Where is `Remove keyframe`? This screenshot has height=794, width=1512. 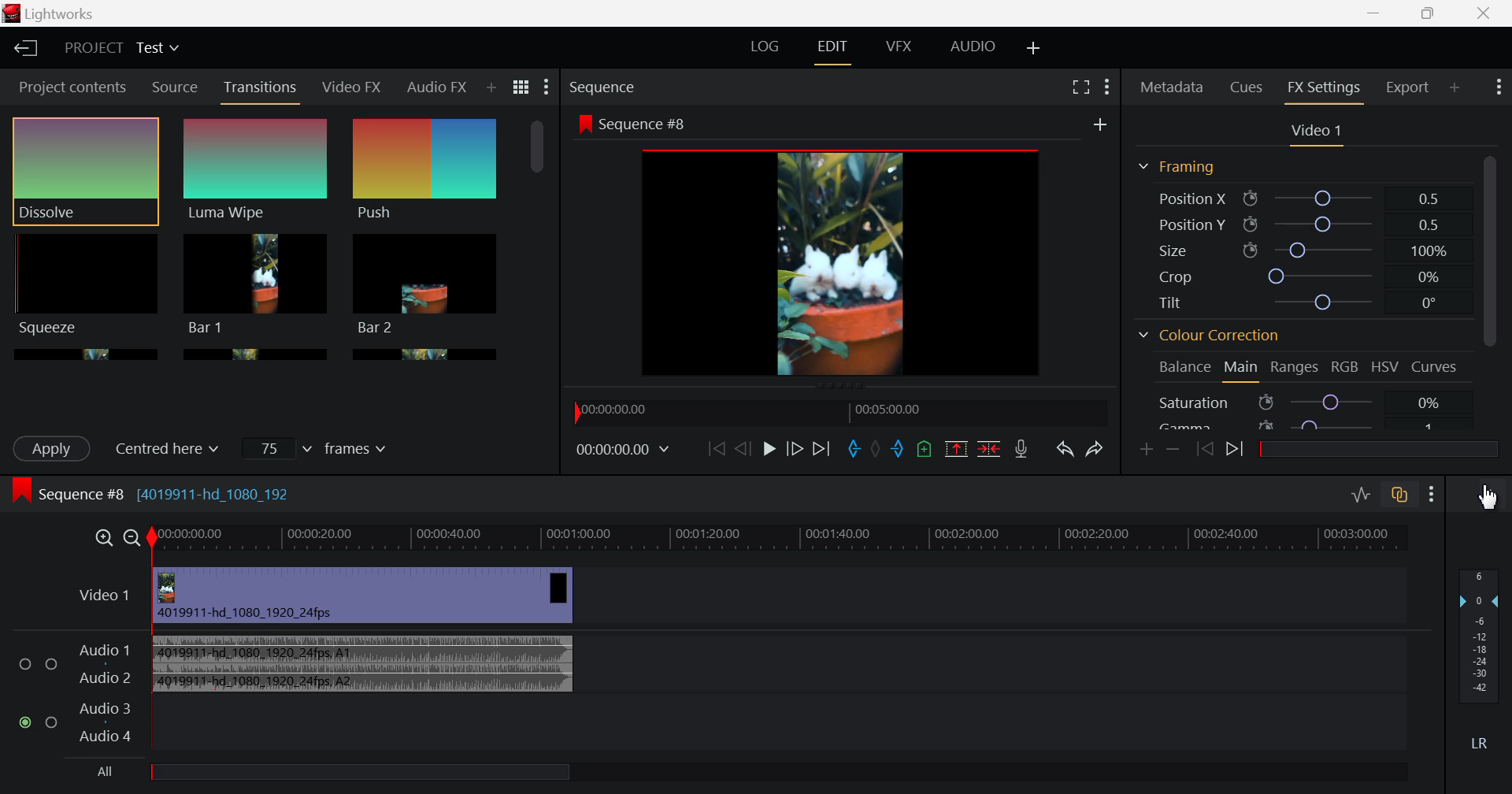
Remove keyframe is located at coordinates (1172, 449).